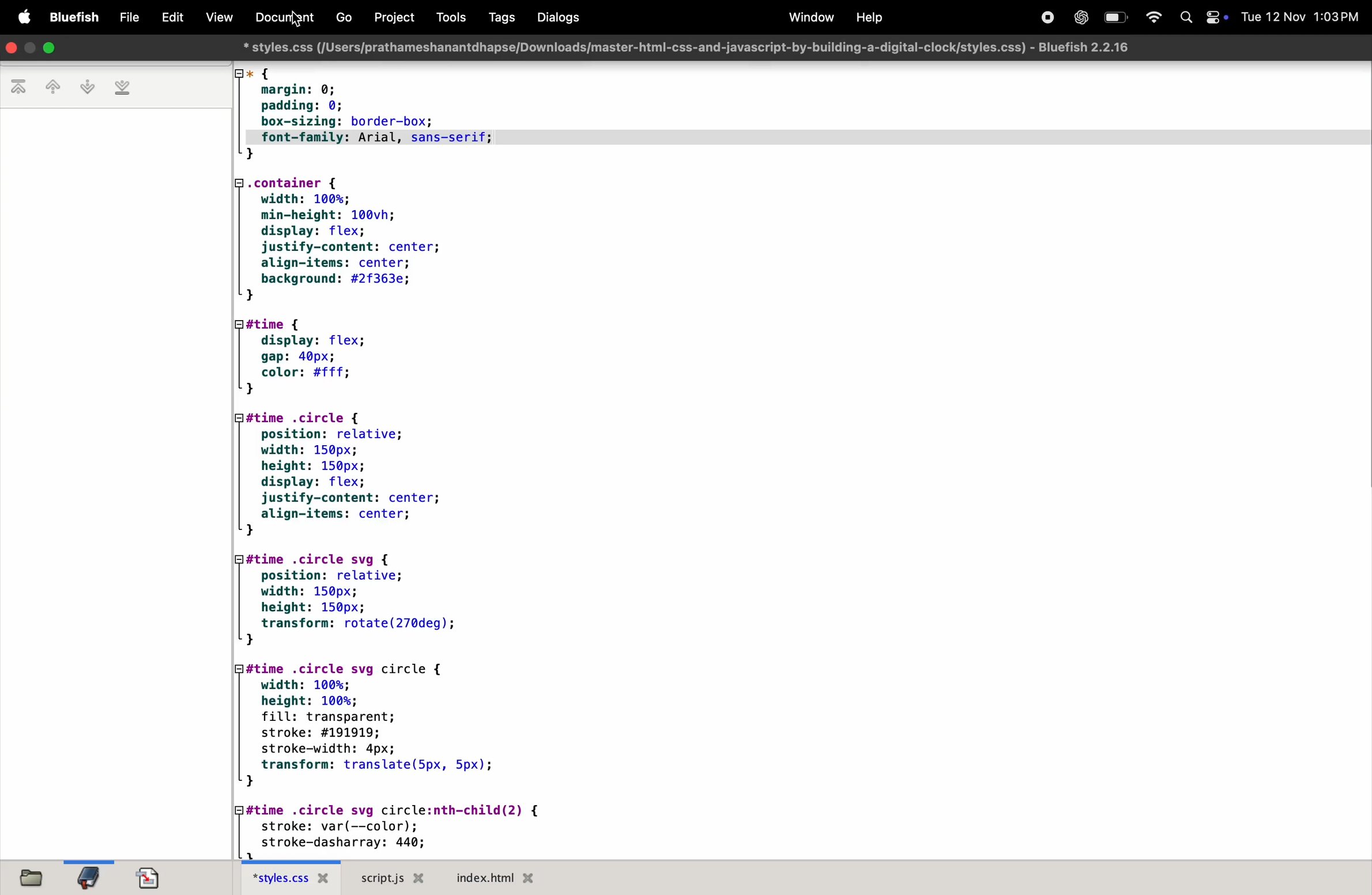 The height and width of the screenshot is (895, 1372). What do you see at coordinates (295, 878) in the screenshot?
I see `style.css` at bounding box center [295, 878].